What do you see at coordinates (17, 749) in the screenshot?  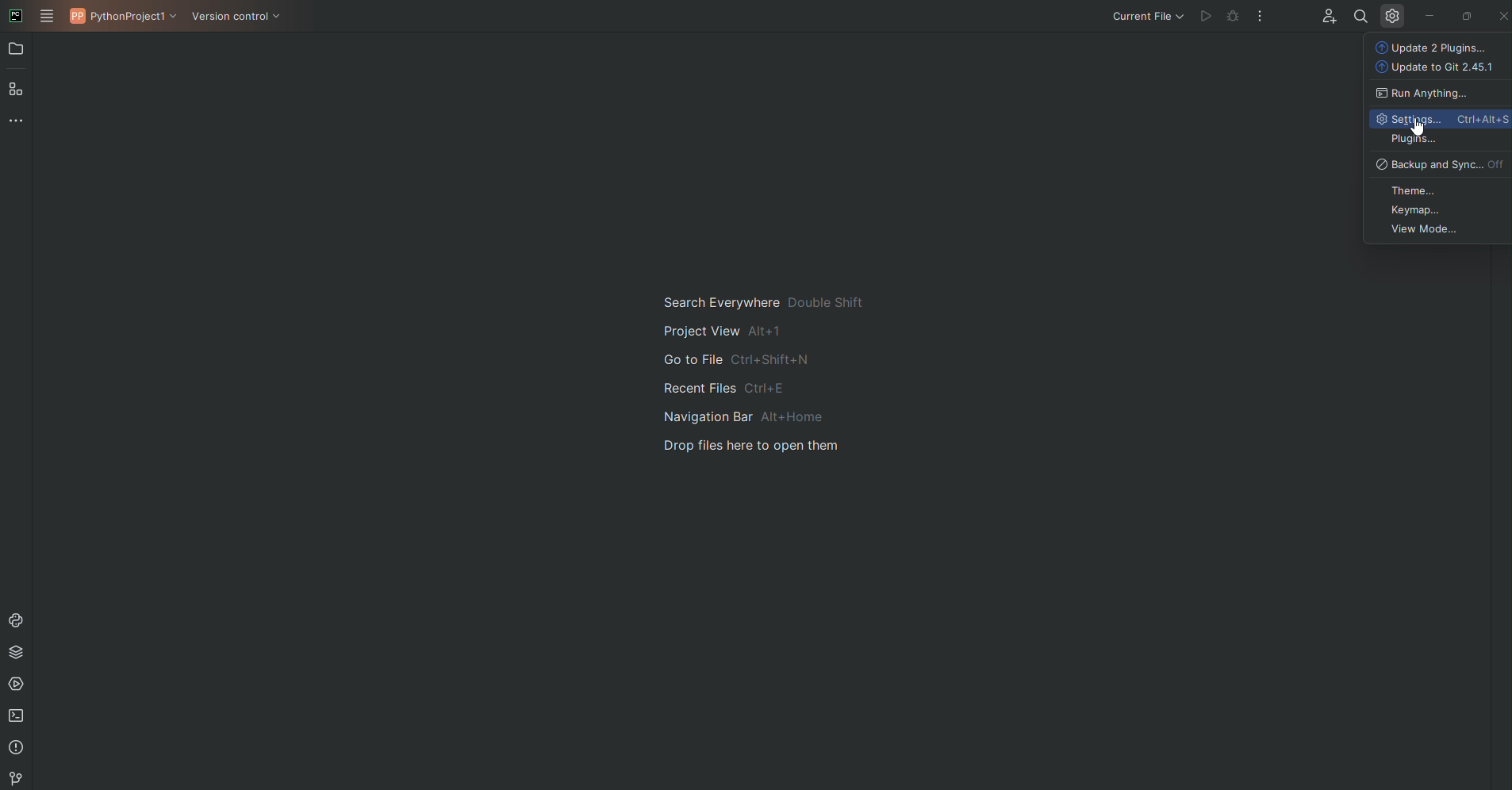 I see `Problems` at bounding box center [17, 749].